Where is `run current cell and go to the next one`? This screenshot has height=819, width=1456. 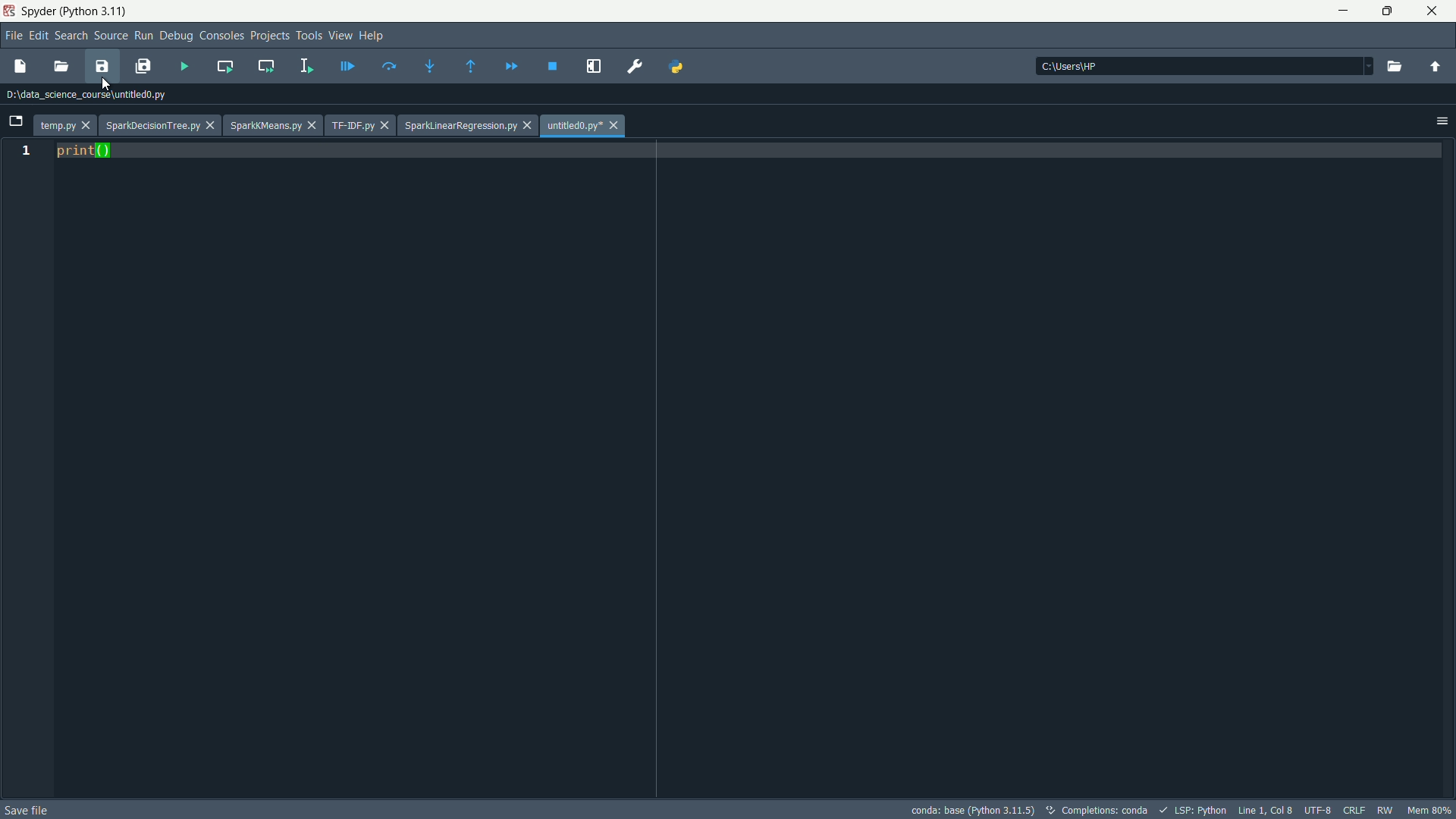 run current cell and go to the next one is located at coordinates (265, 66).